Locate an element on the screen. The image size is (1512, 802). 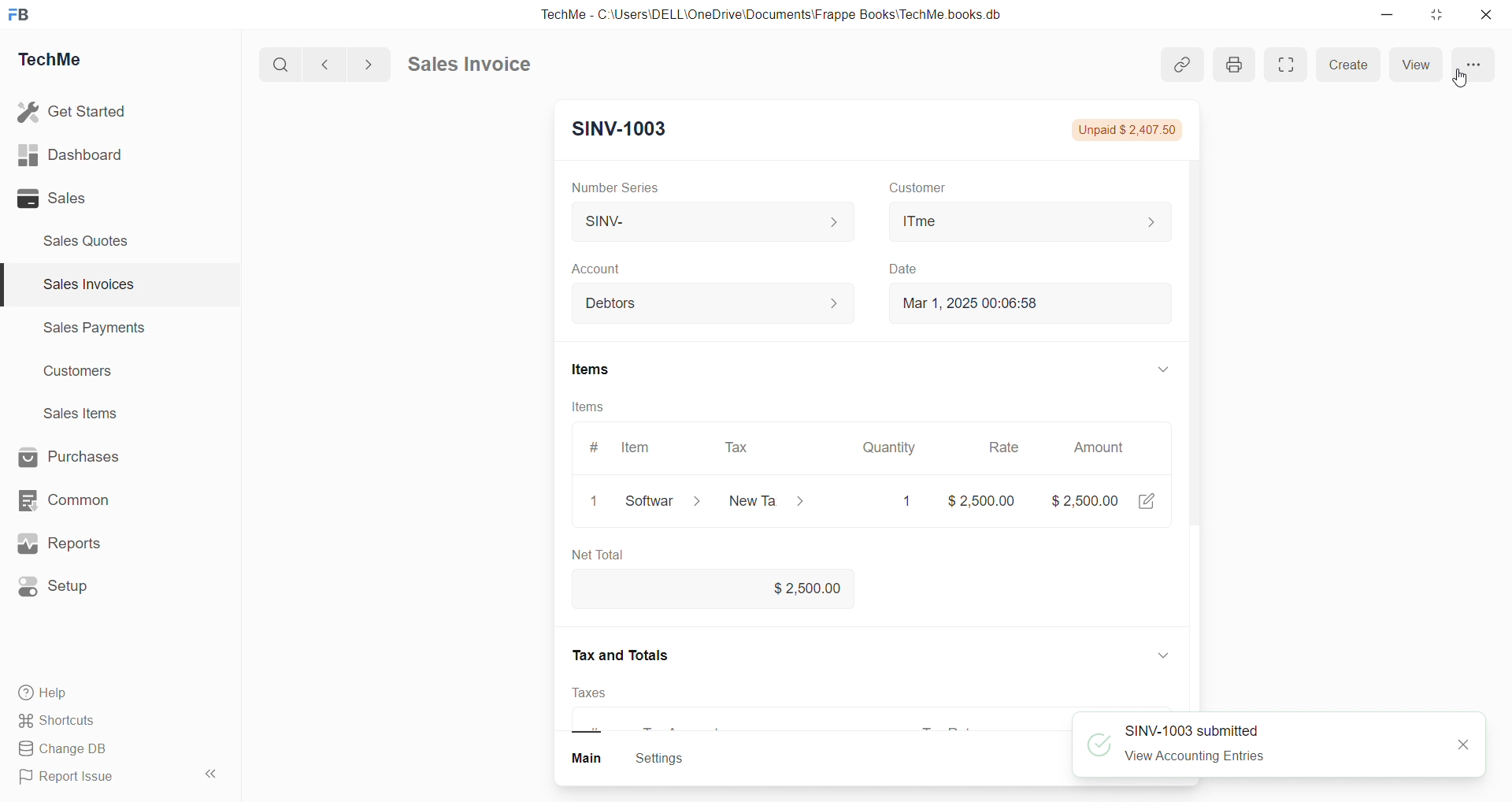
Close is located at coordinates (1452, 744).